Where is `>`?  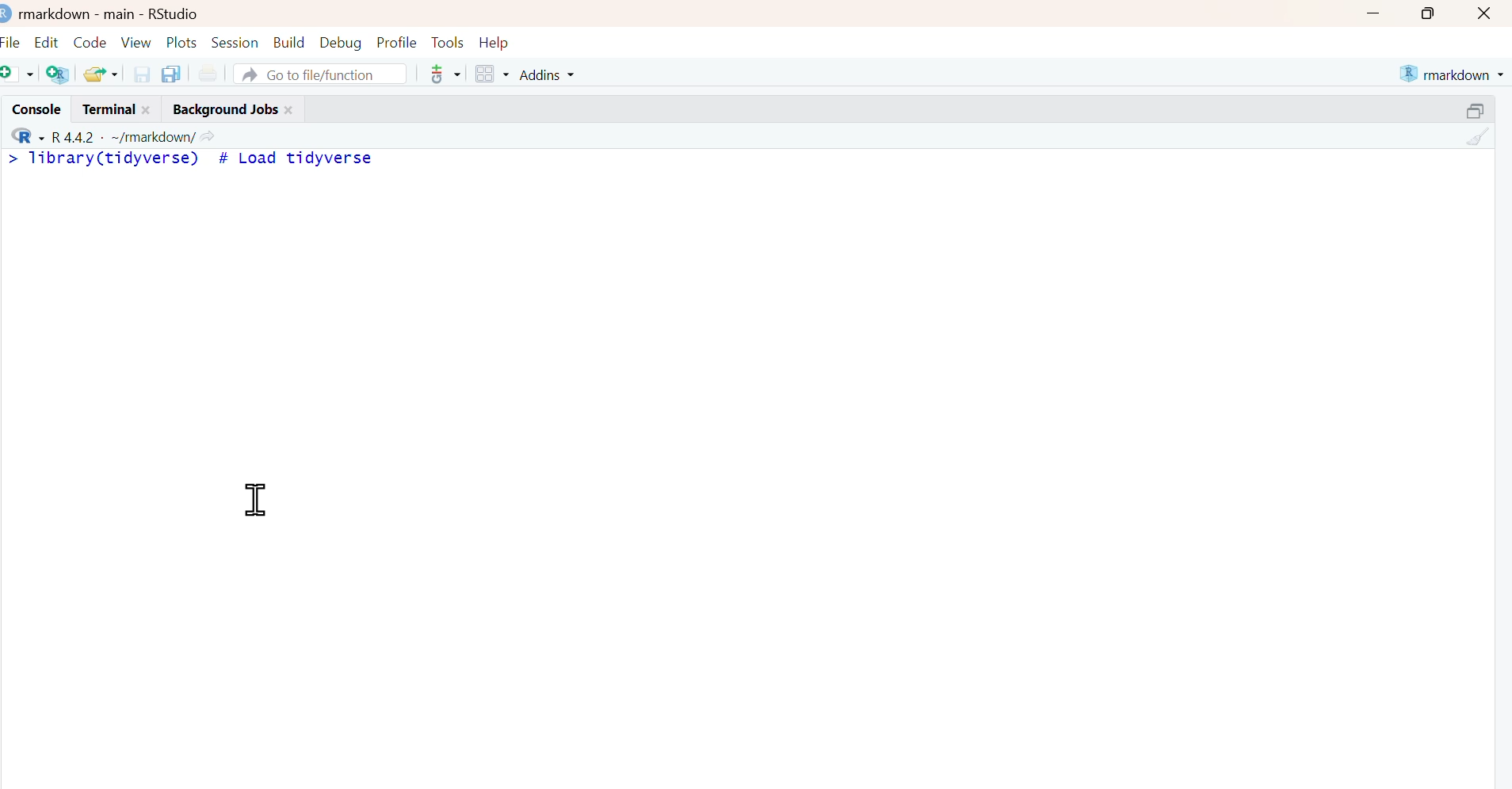 > is located at coordinates (12, 159).